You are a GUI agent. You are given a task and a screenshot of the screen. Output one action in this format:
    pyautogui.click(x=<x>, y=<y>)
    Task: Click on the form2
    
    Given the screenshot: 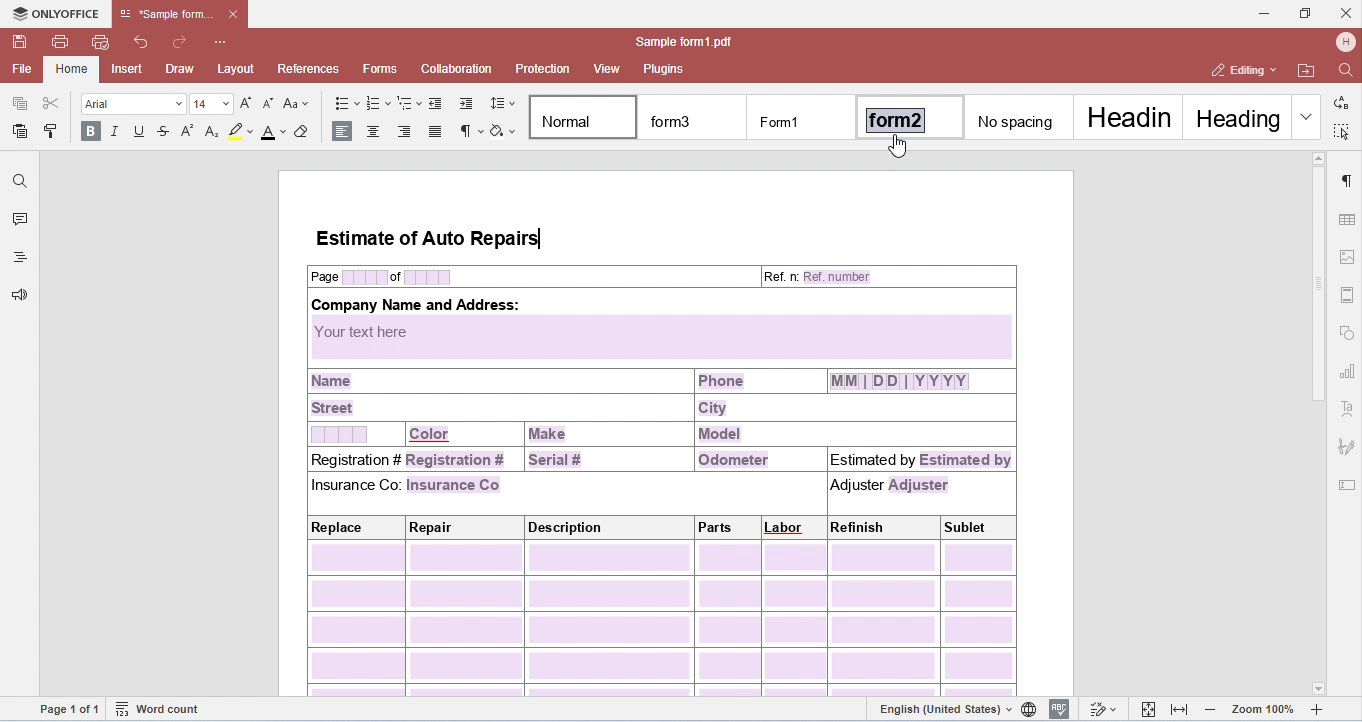 What is the action you would take?
    pyautogui.click(x=912, y=115)
    